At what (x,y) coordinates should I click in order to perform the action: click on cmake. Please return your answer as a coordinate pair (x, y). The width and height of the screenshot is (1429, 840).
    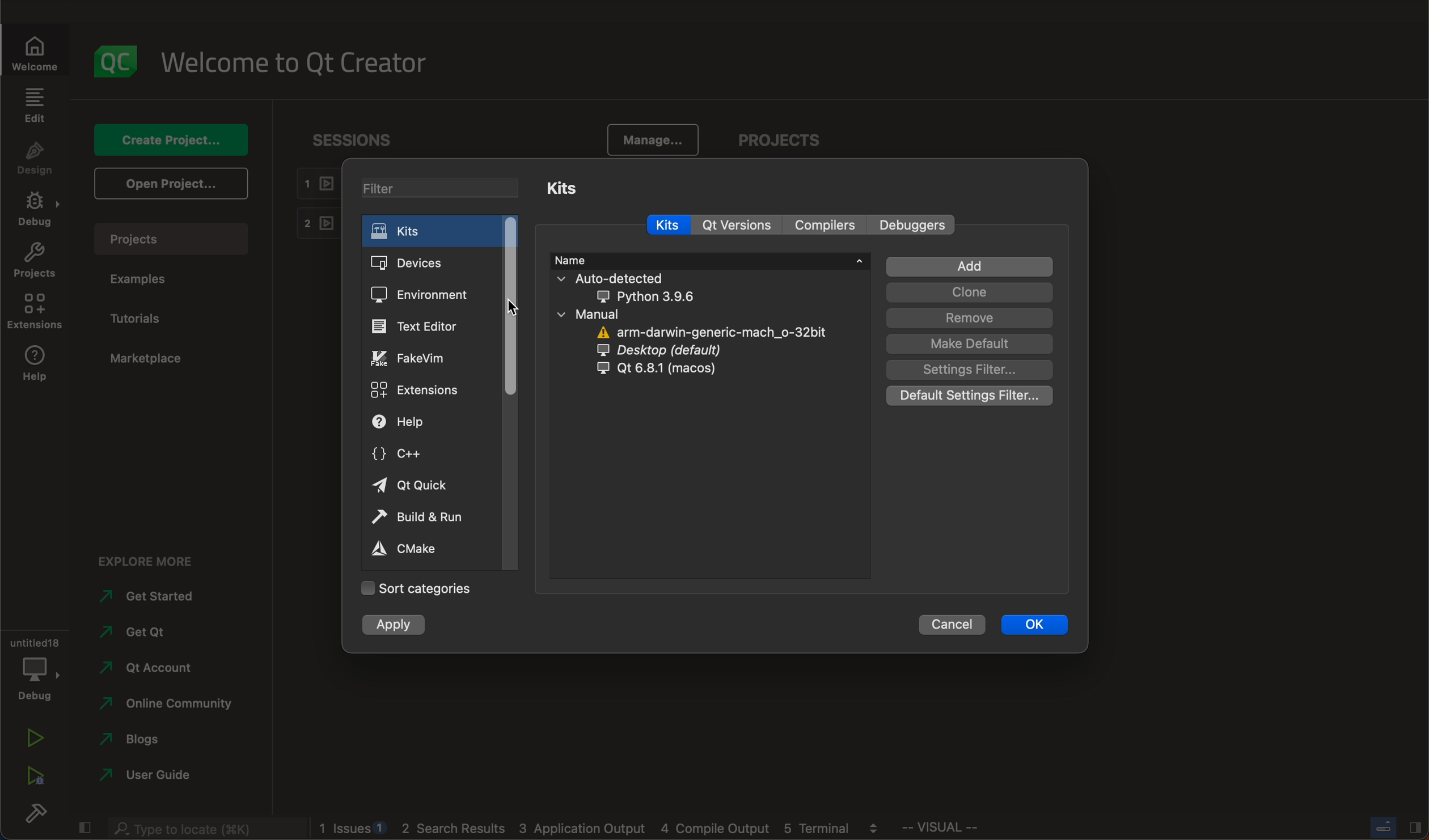
    Looking at the image, I should click on (411, 550).